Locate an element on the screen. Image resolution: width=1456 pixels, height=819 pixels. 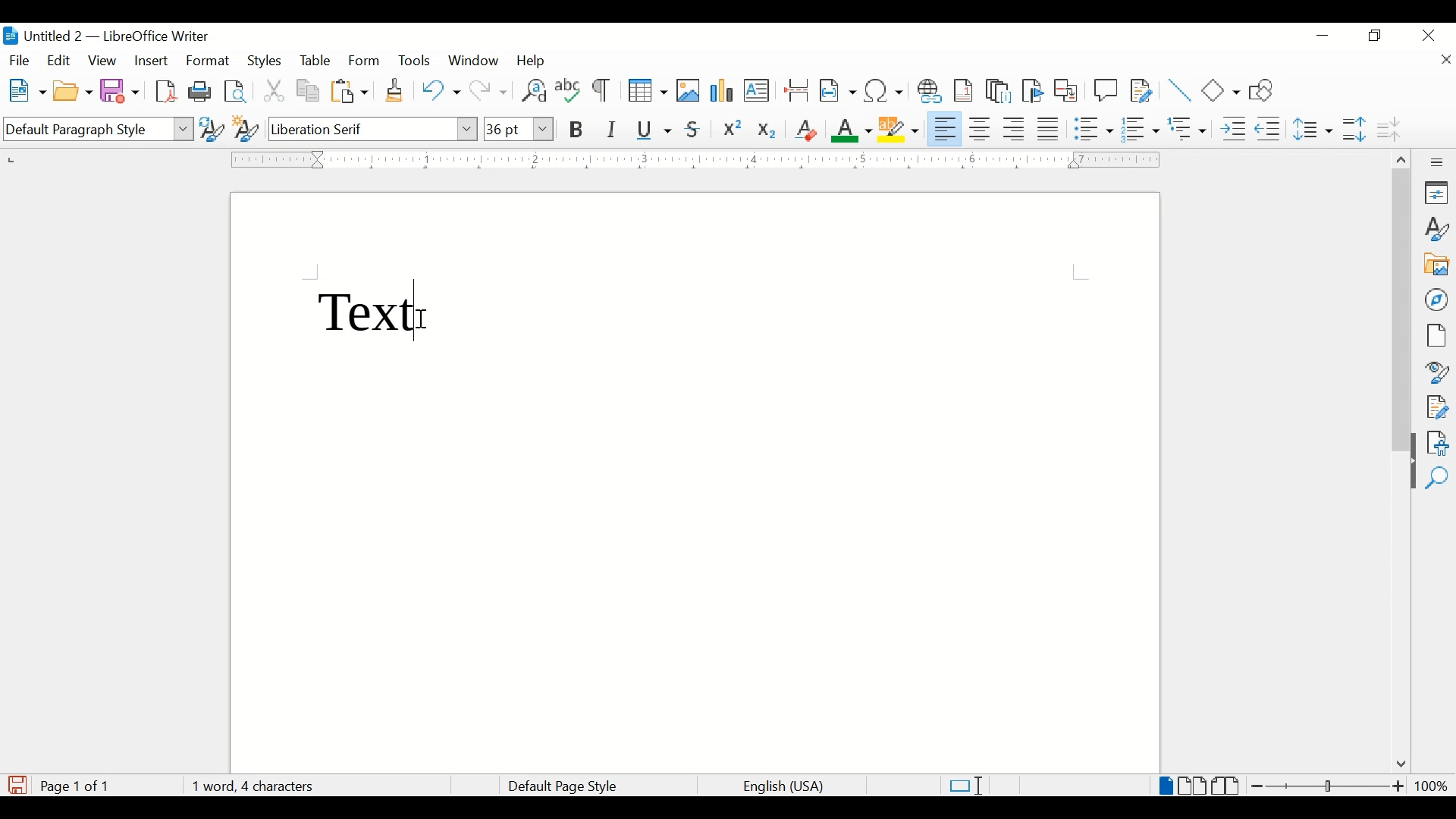
insert field is located at coordinates (838, 90).